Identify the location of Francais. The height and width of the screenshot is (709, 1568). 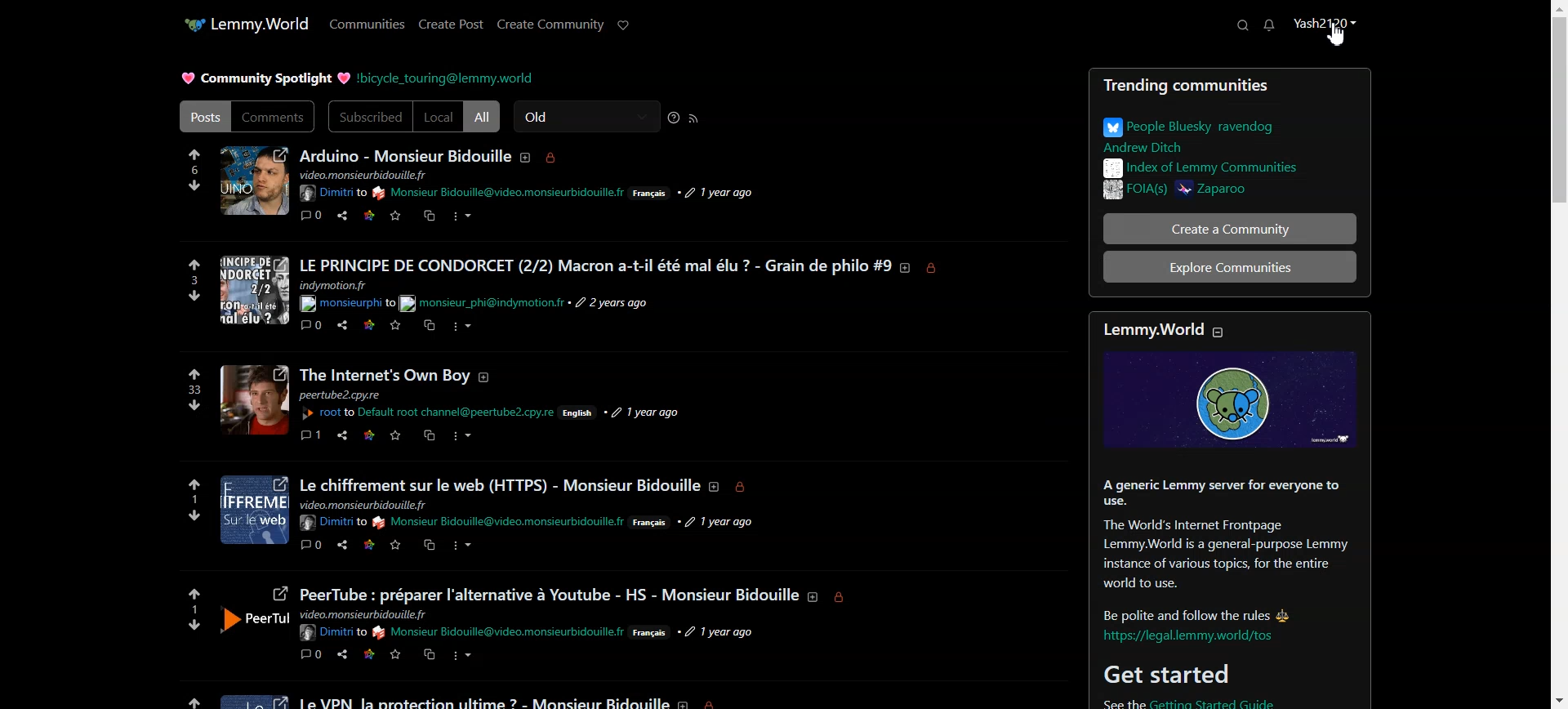
(653, 635).